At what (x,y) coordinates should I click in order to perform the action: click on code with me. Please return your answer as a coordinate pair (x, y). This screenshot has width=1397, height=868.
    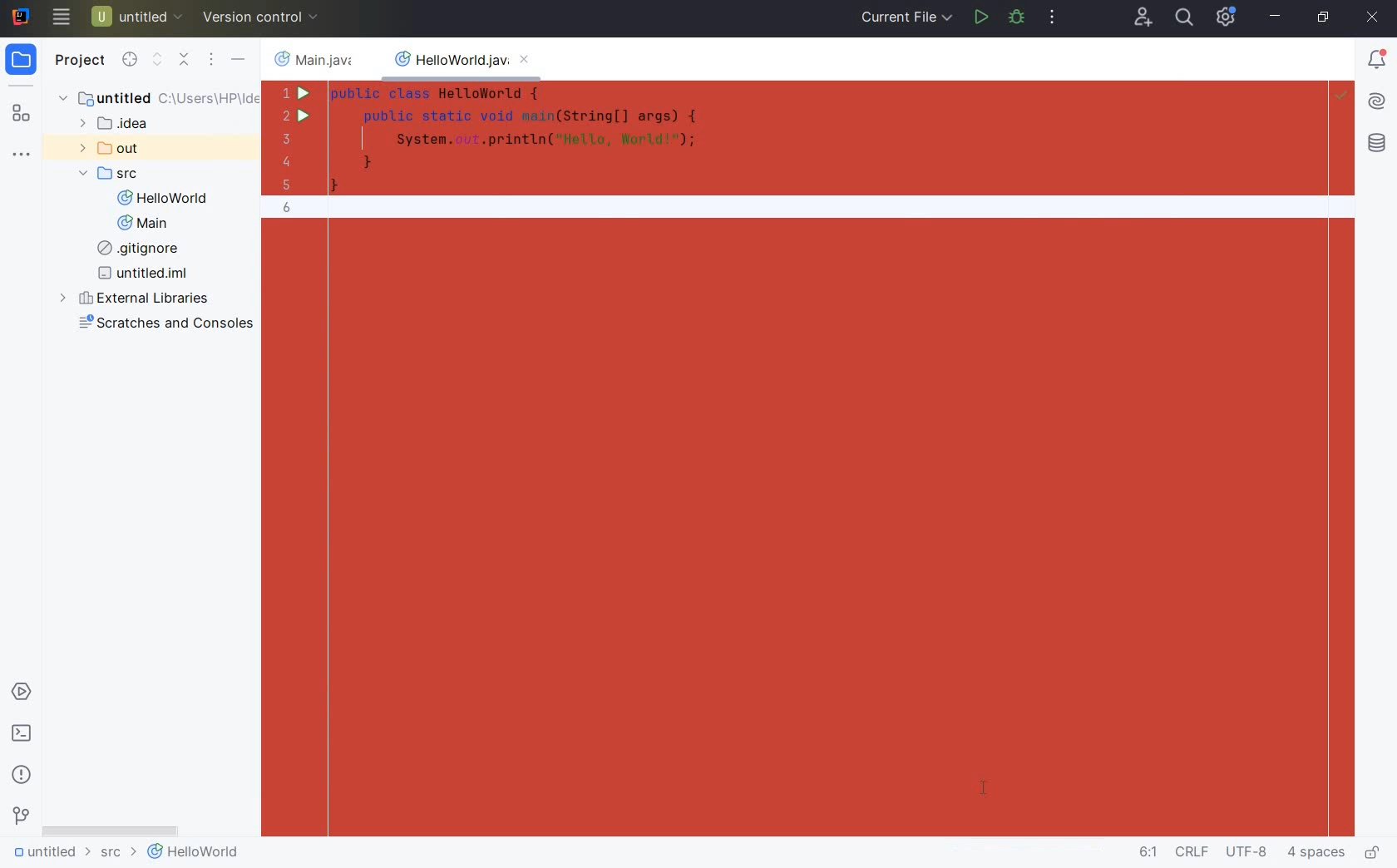
    Looking at the image, I should click on (1141, 17).